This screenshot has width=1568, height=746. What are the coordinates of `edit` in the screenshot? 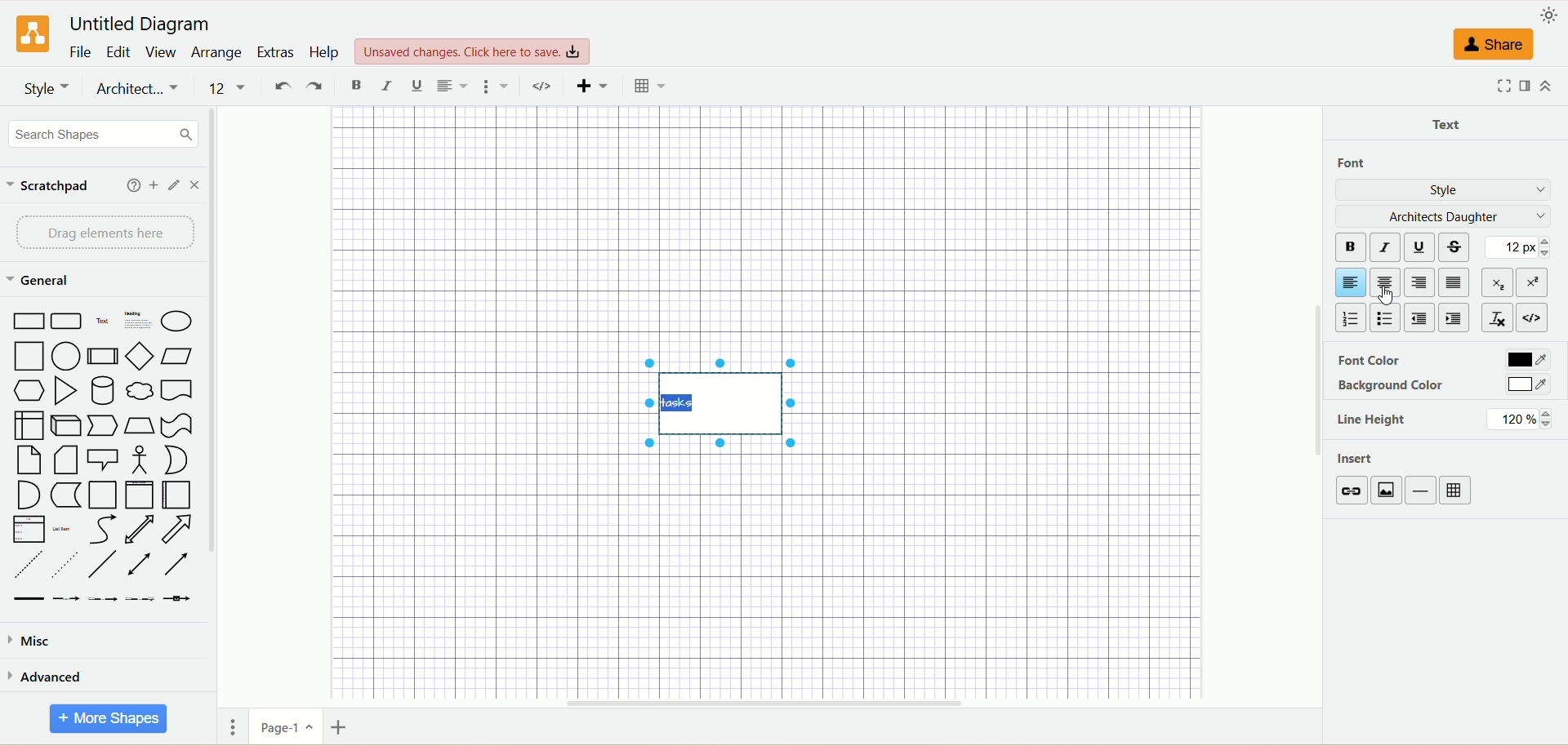 It's located at (118, 51).